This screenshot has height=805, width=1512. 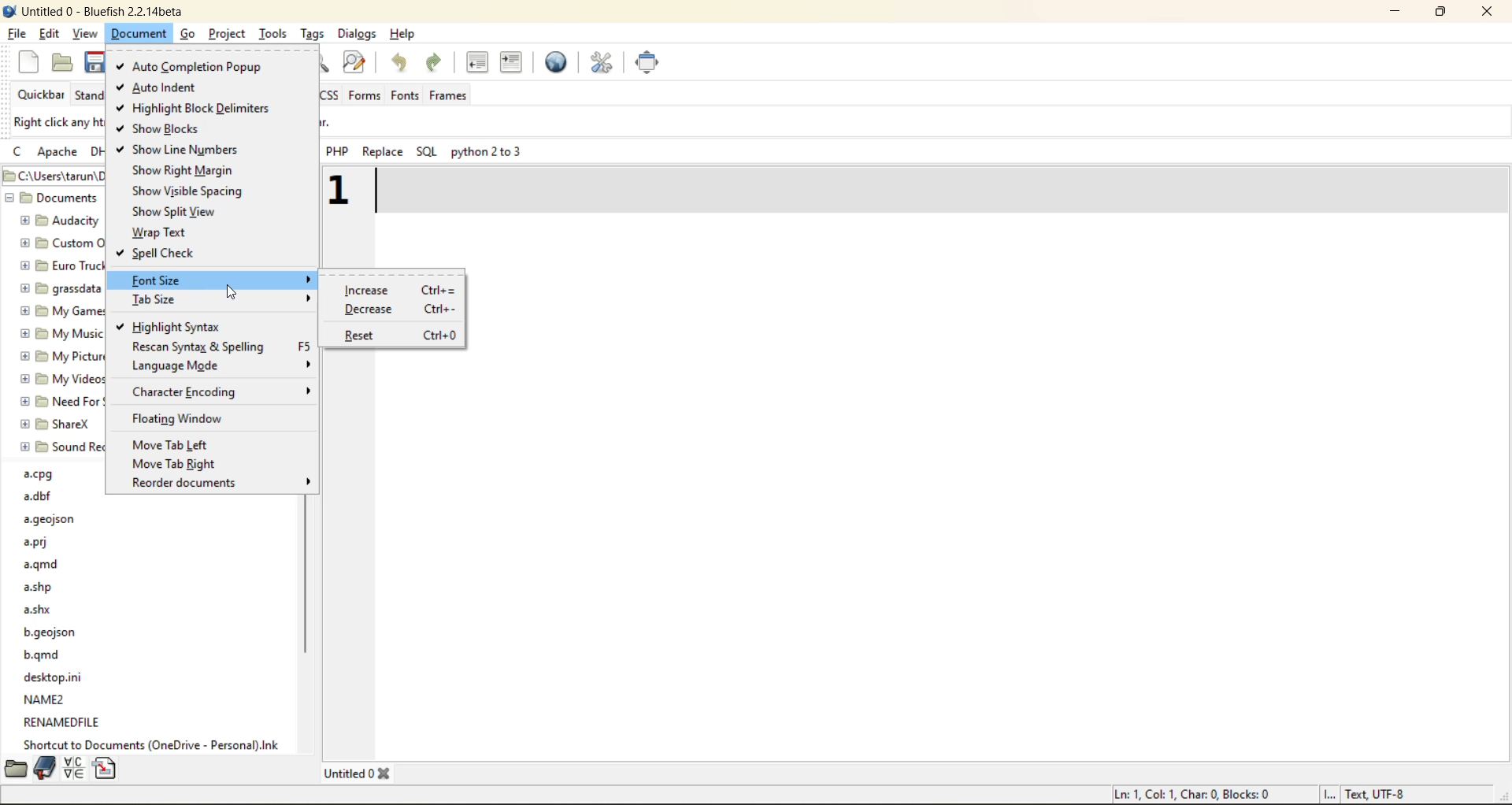 I want to click on recorder documents, so click(x=198, y=484).